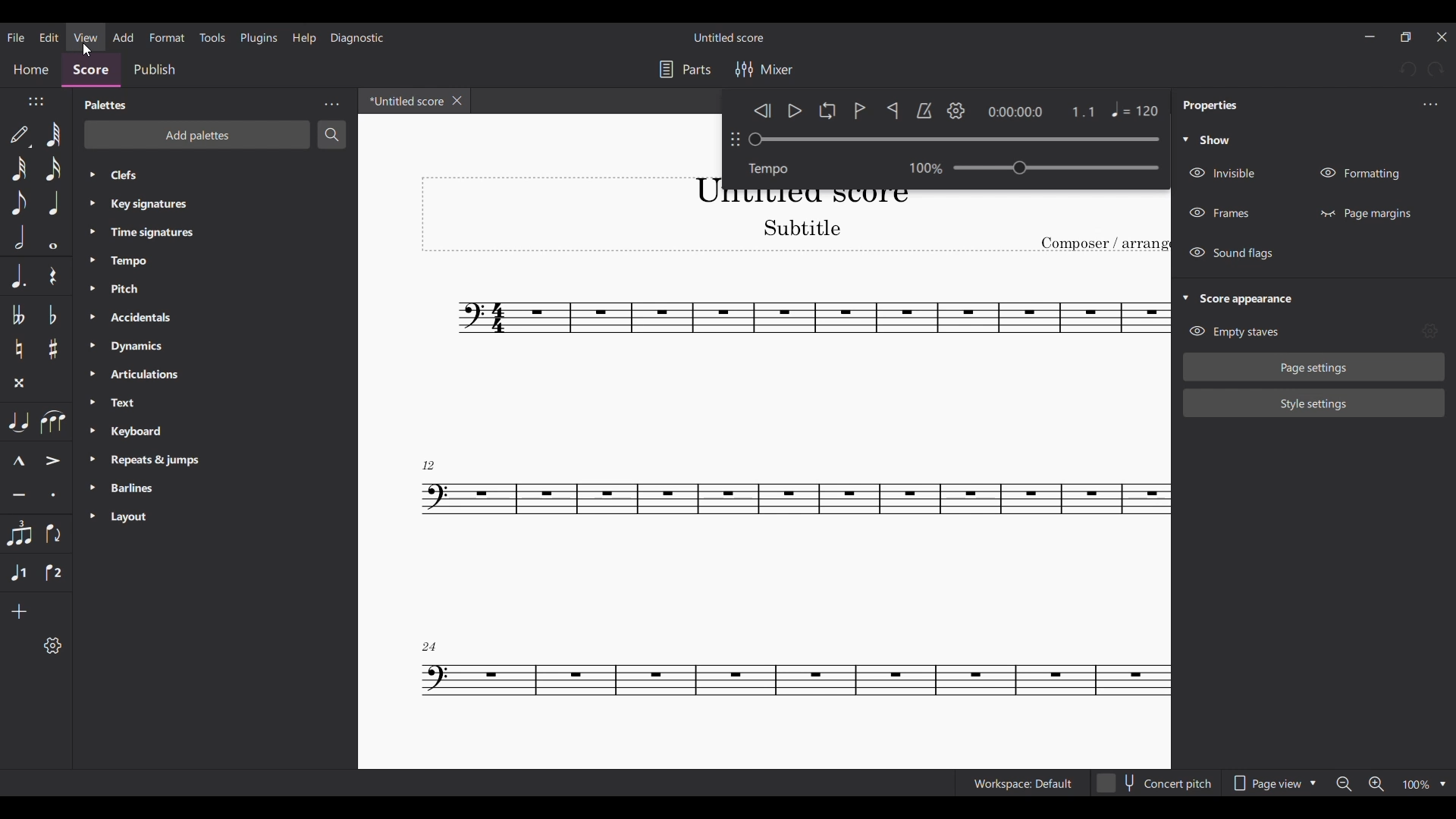 The height and width of the screenshot is (819, 1456). What do you see at coordinates (196, 518) in the screenshot?
I see `Layout` at bounding box center [196, 518].